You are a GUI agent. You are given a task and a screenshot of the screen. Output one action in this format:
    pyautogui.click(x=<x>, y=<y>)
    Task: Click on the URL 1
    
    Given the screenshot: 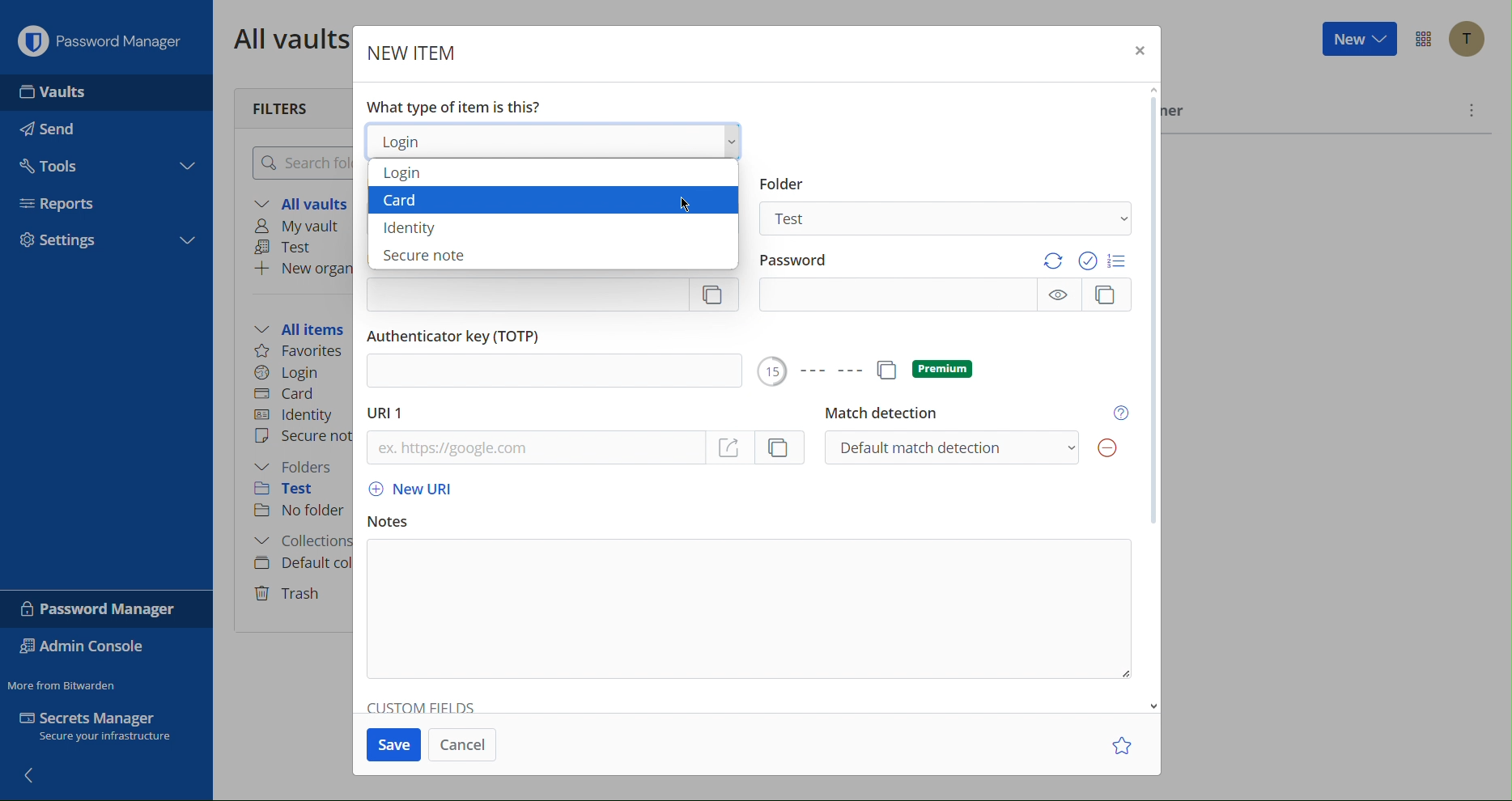 What is the action you would take?
    pyautogui.click(x=393, y=413)
    